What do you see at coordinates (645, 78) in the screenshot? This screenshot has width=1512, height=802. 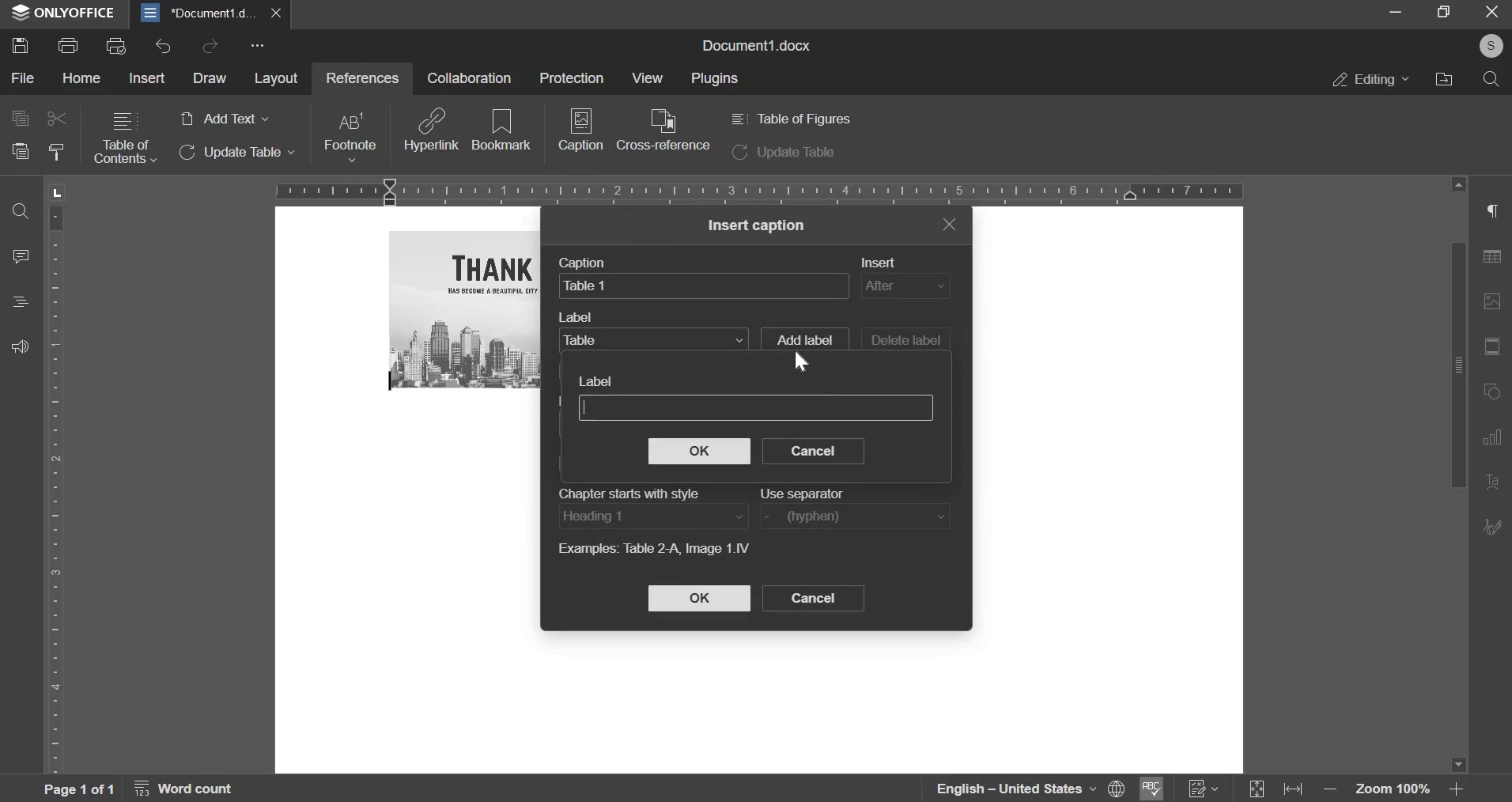 I see `view` at bounding box center [645, 78].